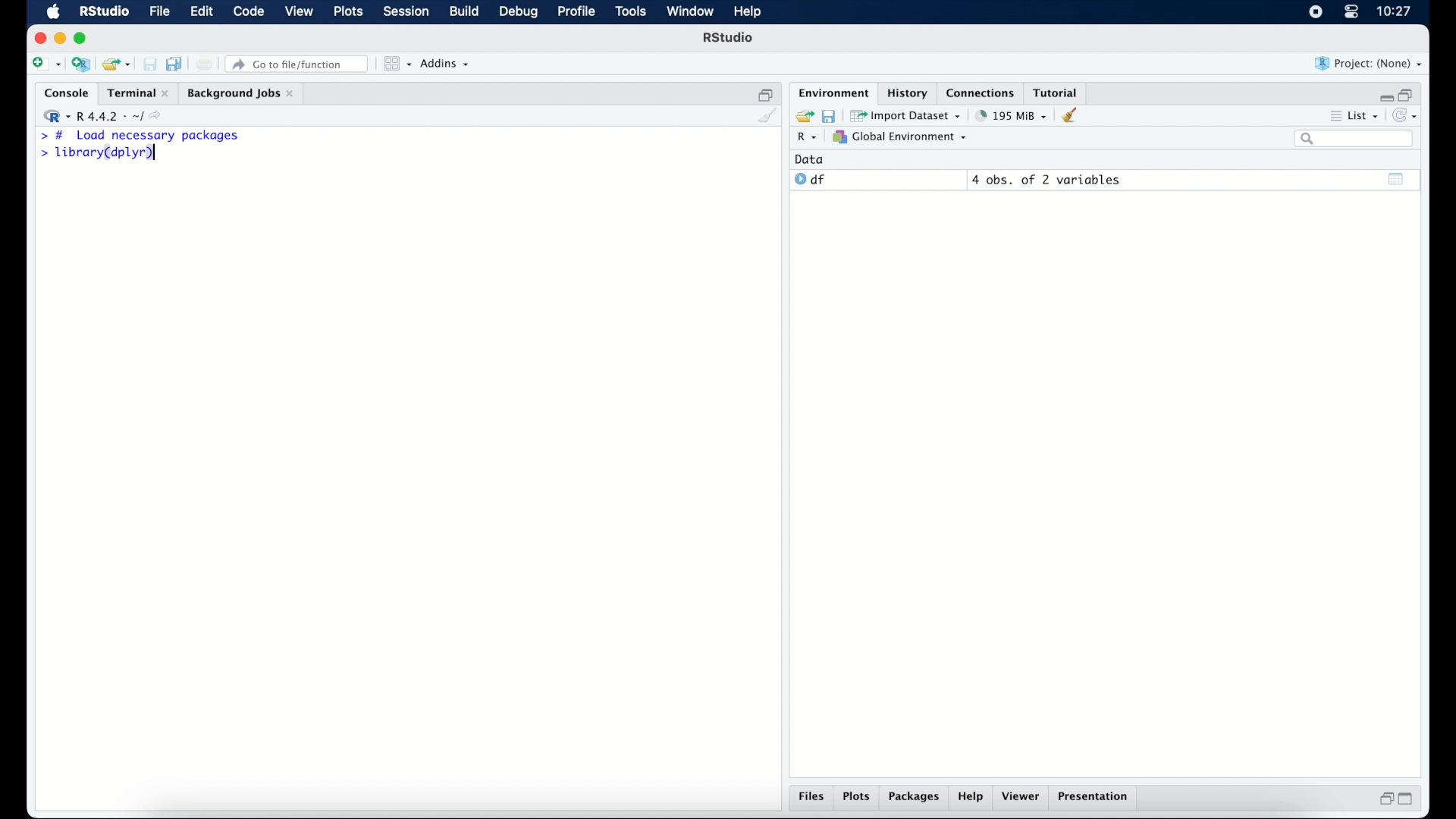 The height and width of the screenshot is (819, 1456). I want to click on refresh, so click(1407, 117).